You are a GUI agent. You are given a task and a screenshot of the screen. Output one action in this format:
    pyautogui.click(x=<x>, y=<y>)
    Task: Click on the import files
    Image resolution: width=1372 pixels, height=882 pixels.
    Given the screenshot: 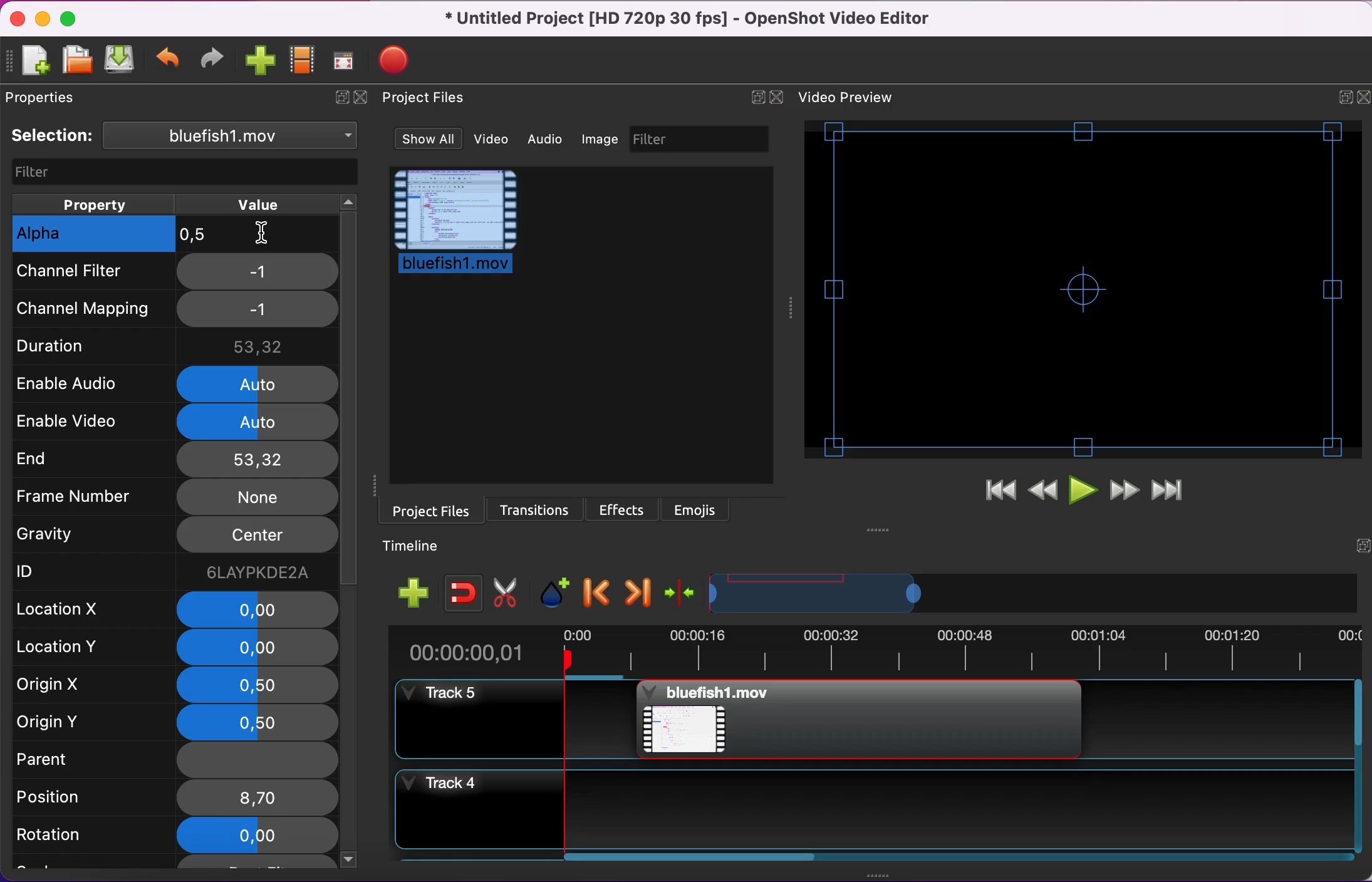 What is the action you would take?
    pyautogui.click(x=259, y=60)
    